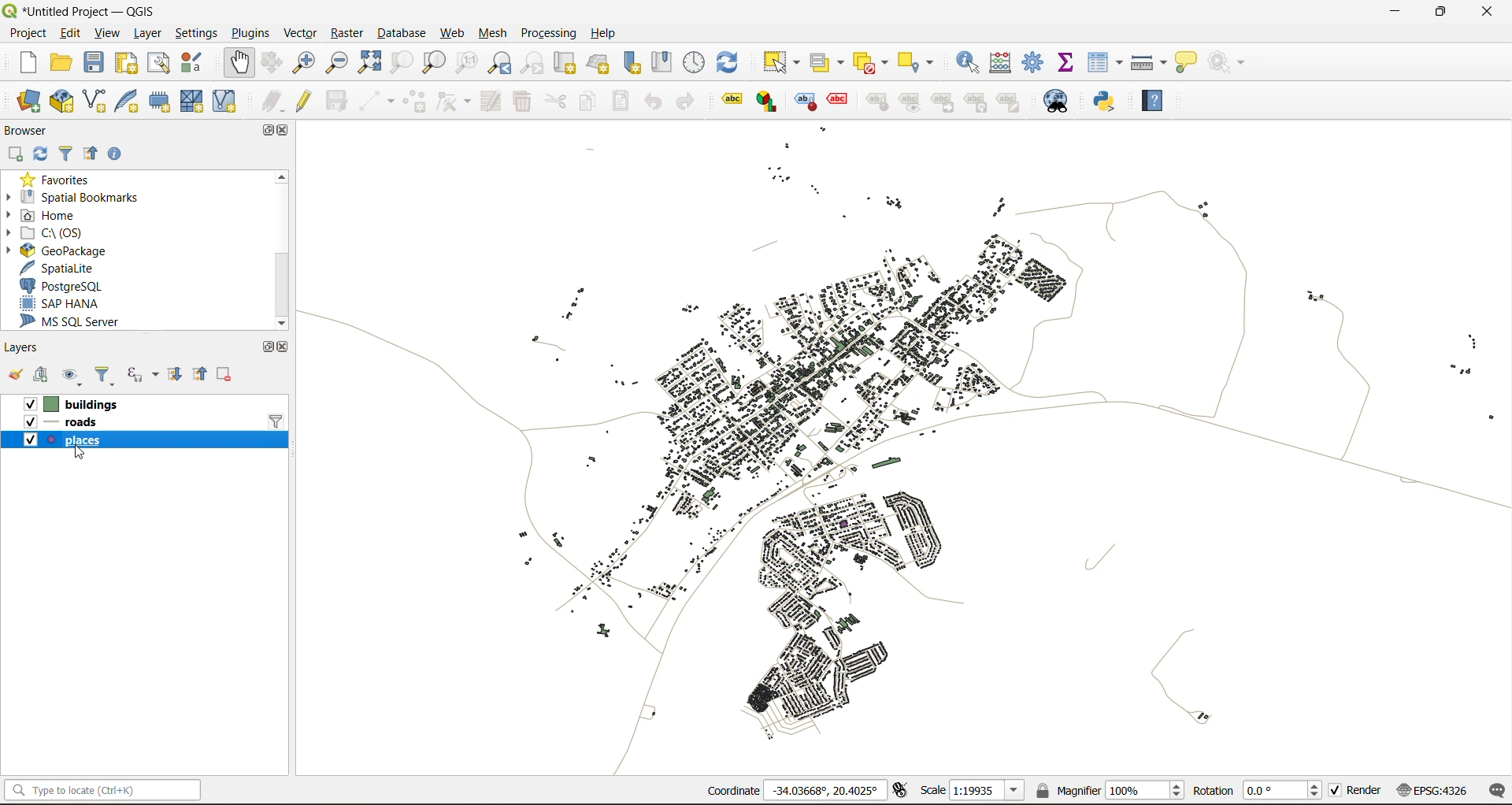 The image size is (1512, 805). I want to click on render, so click(1357, 790).